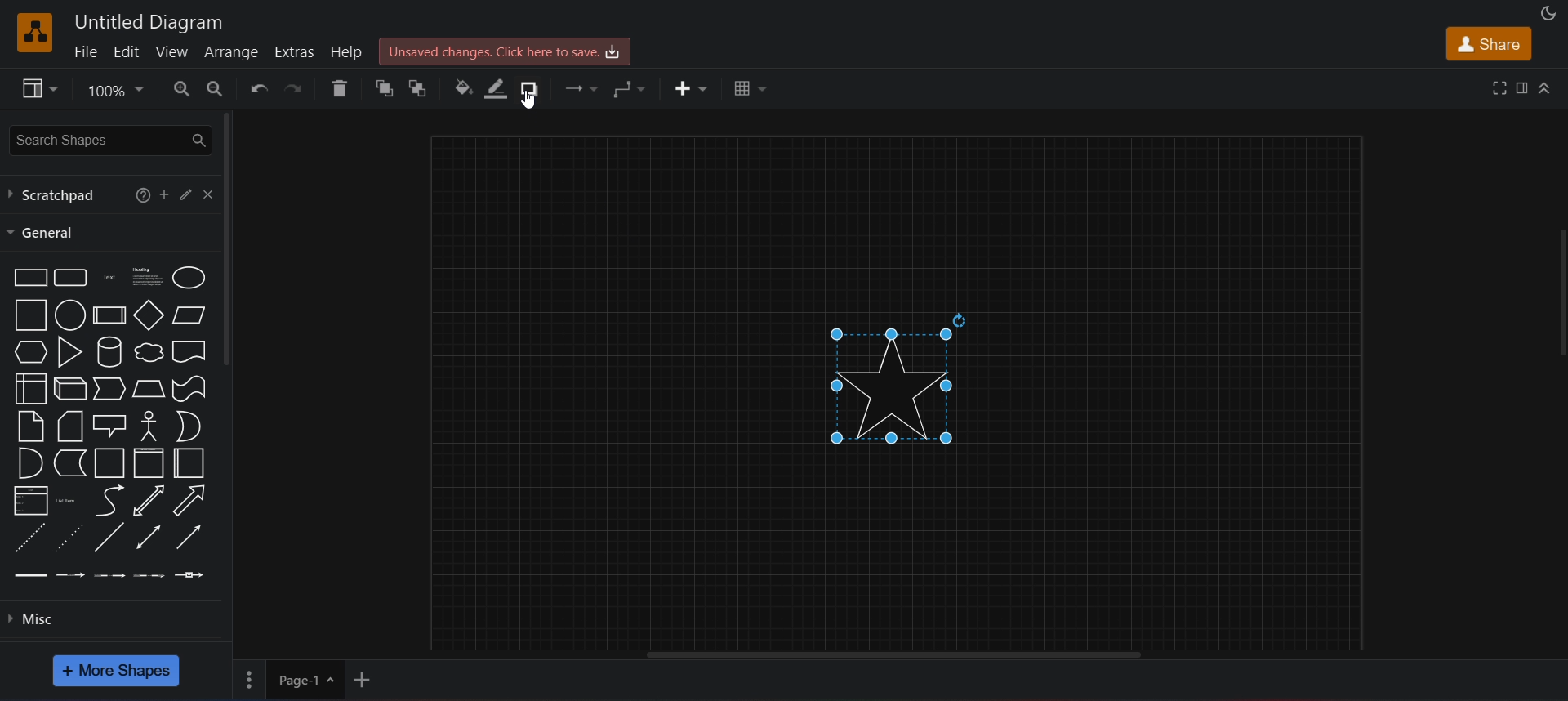 This screenshot has width=1568, height=701. What do you see at coordinates (214, 89) in the screenshot?
I see `zoom out` at bounding box center [214, 89].